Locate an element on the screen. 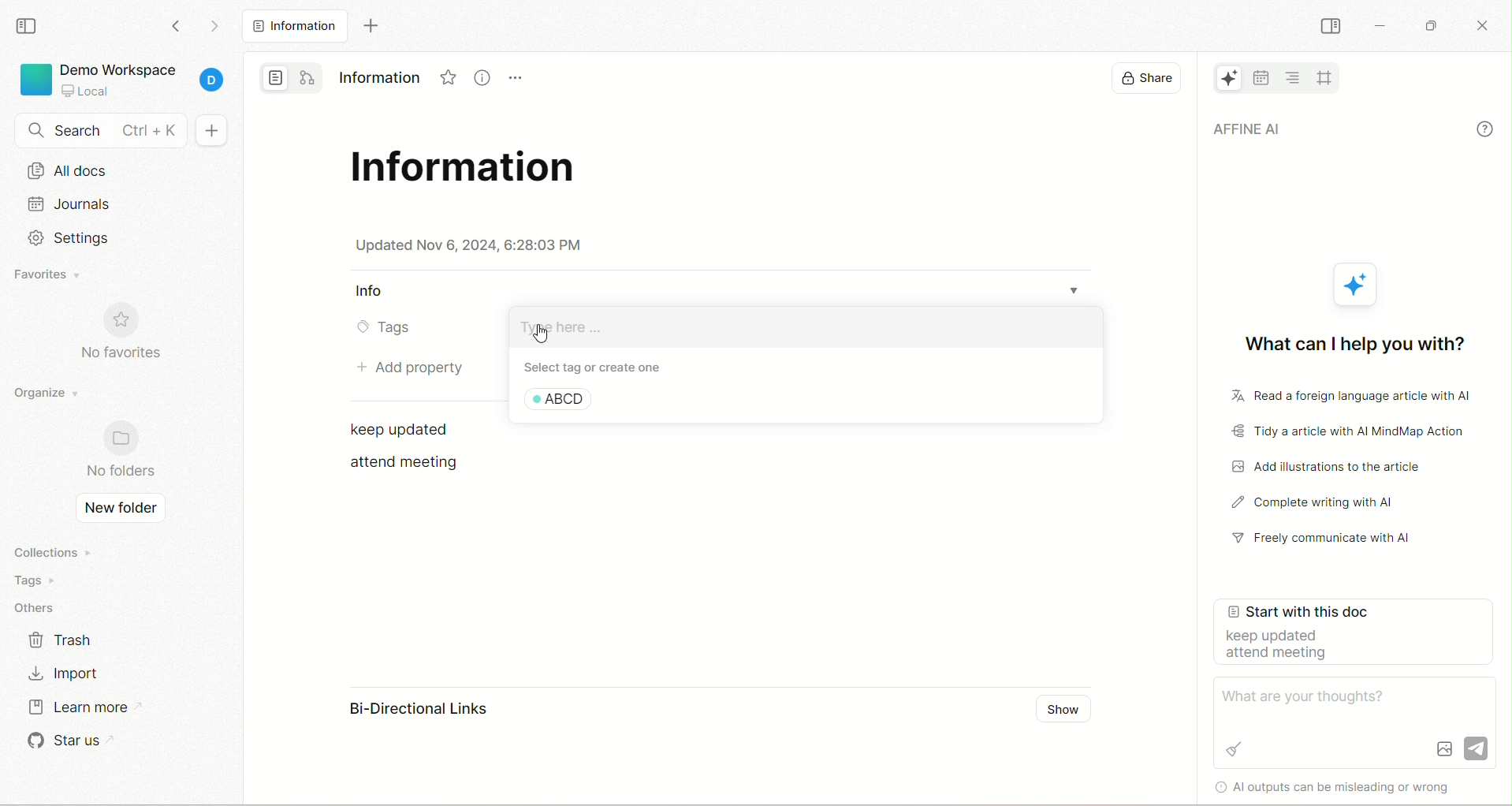  others is located at coordinates (39, 605).